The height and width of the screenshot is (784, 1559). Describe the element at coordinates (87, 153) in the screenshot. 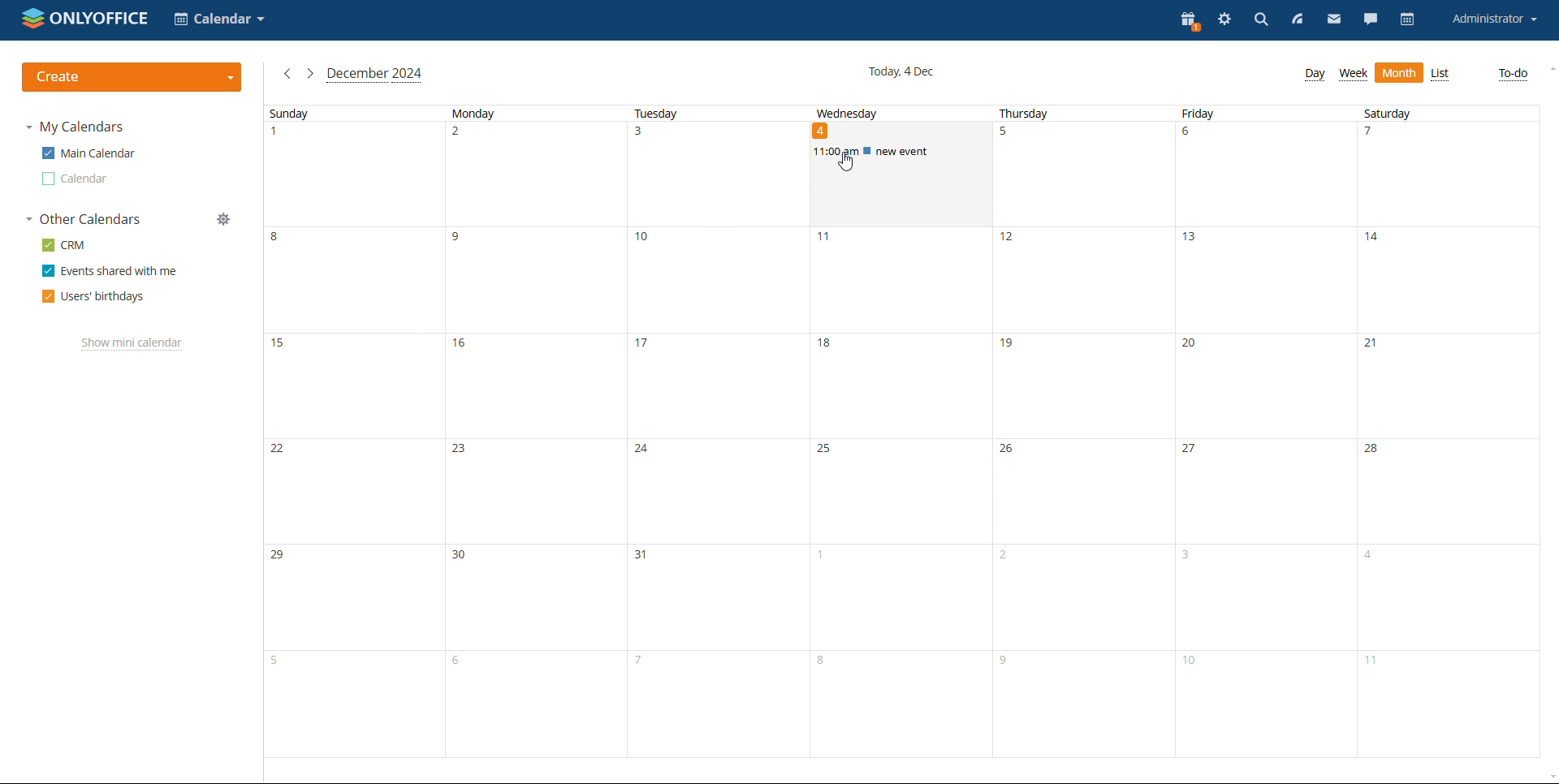

I see `main calendar` at that location.